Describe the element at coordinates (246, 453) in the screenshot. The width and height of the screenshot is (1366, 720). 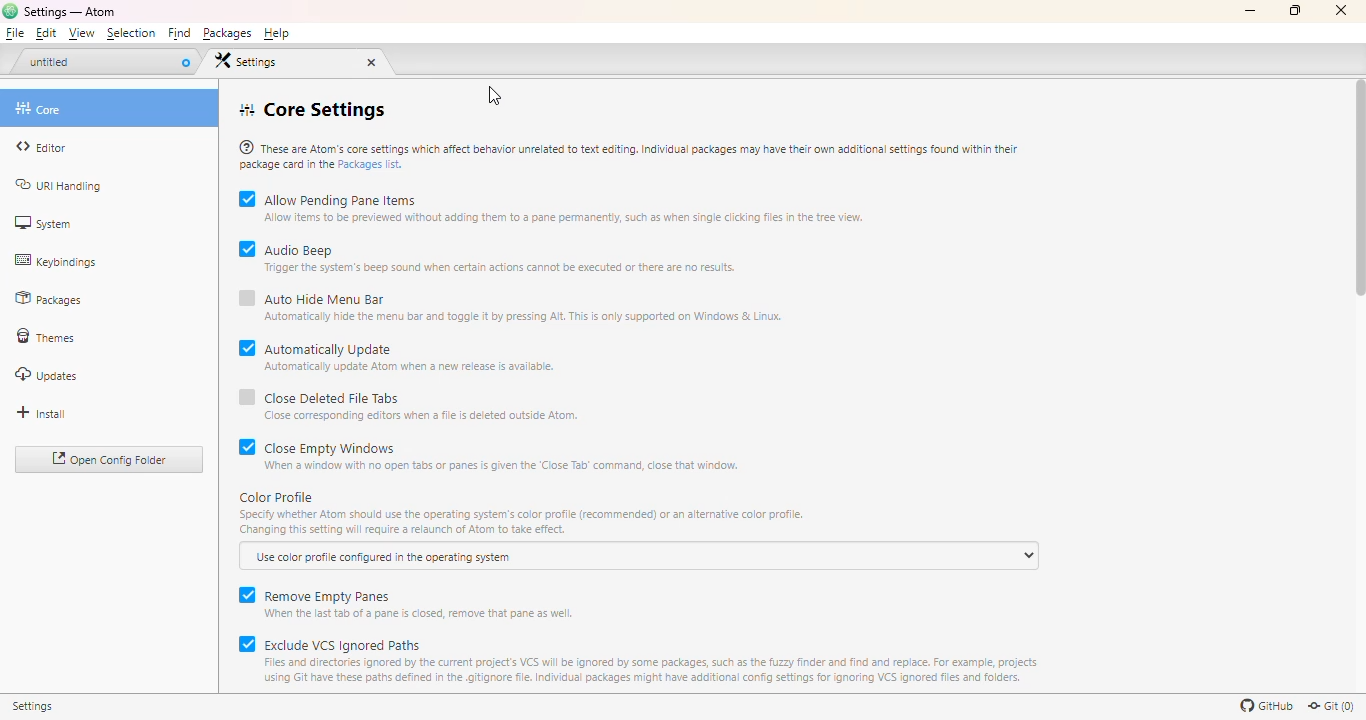
I see `checkbox` at that location.